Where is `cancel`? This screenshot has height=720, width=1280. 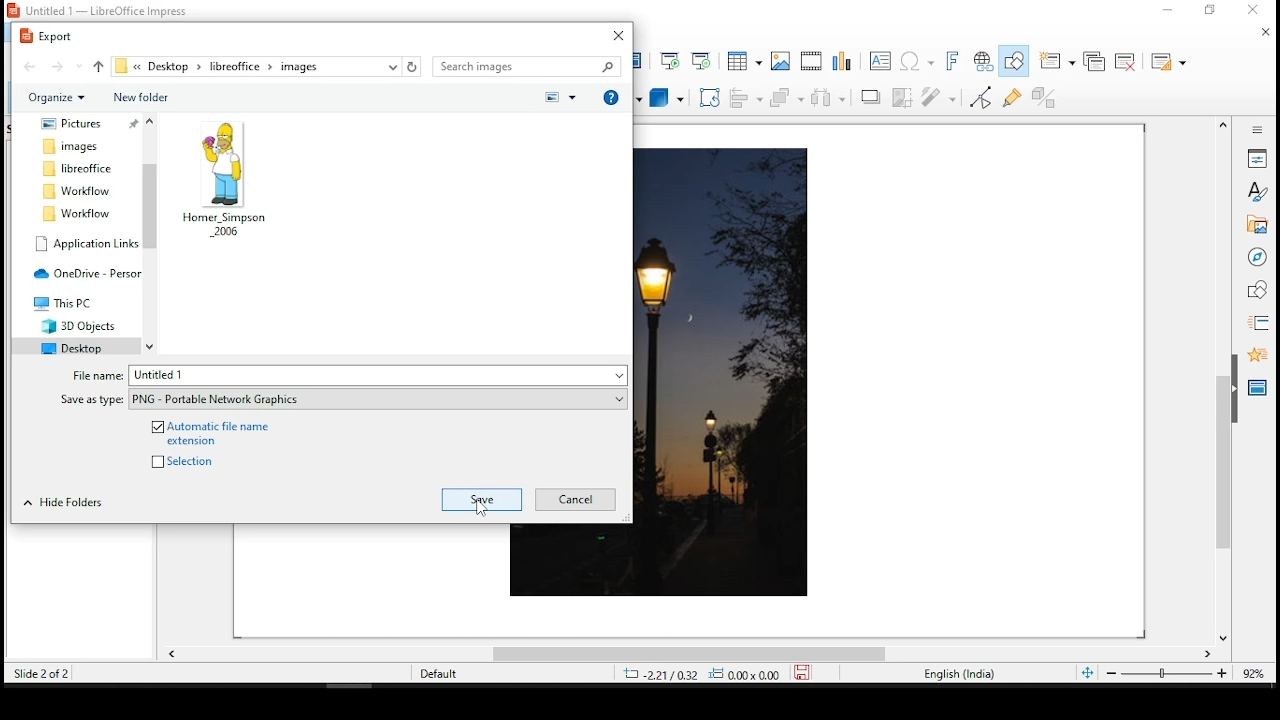 cancel is located at coordinates (574, 498).